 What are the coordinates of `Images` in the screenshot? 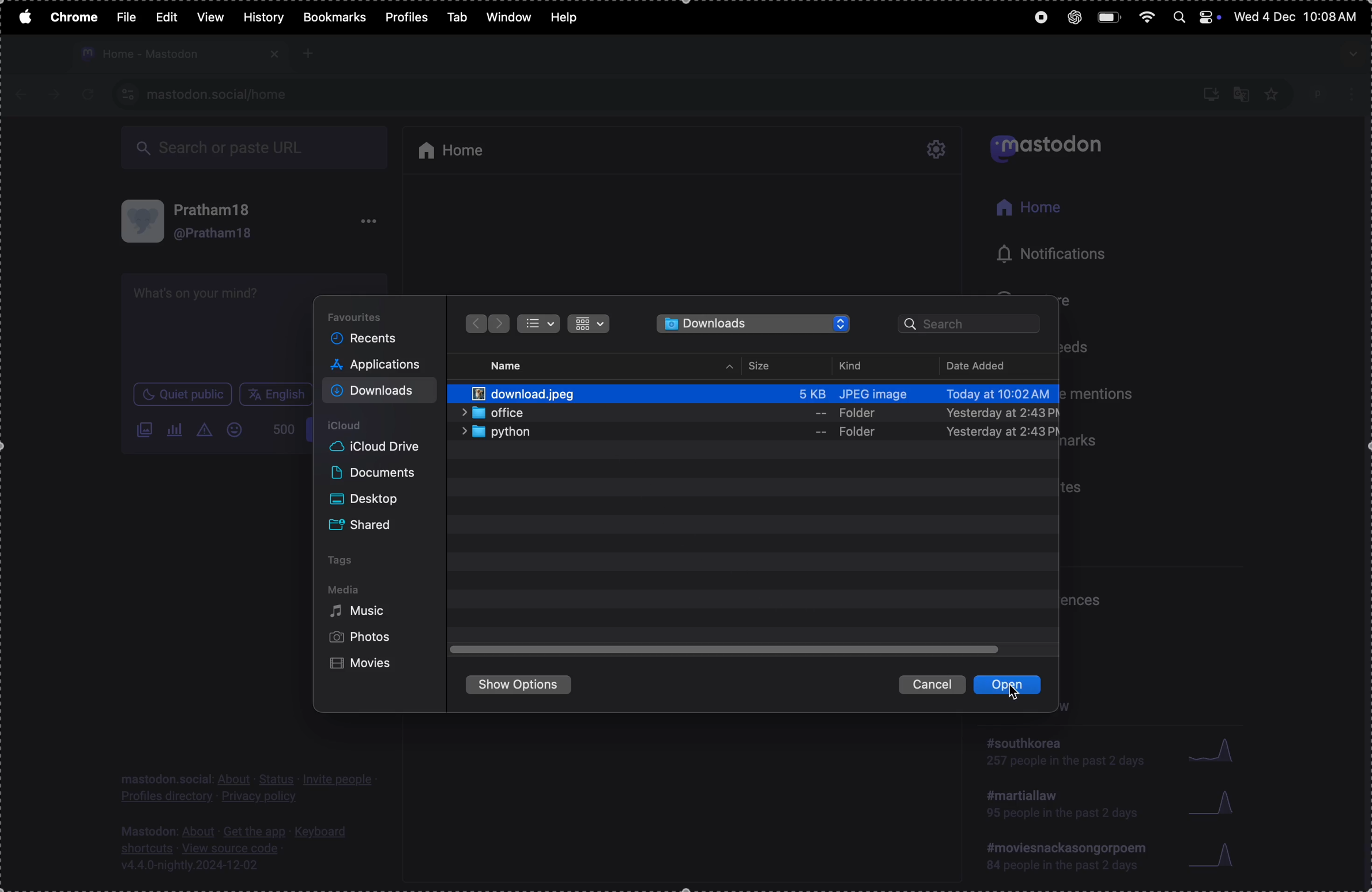 It's located at (144, 432).